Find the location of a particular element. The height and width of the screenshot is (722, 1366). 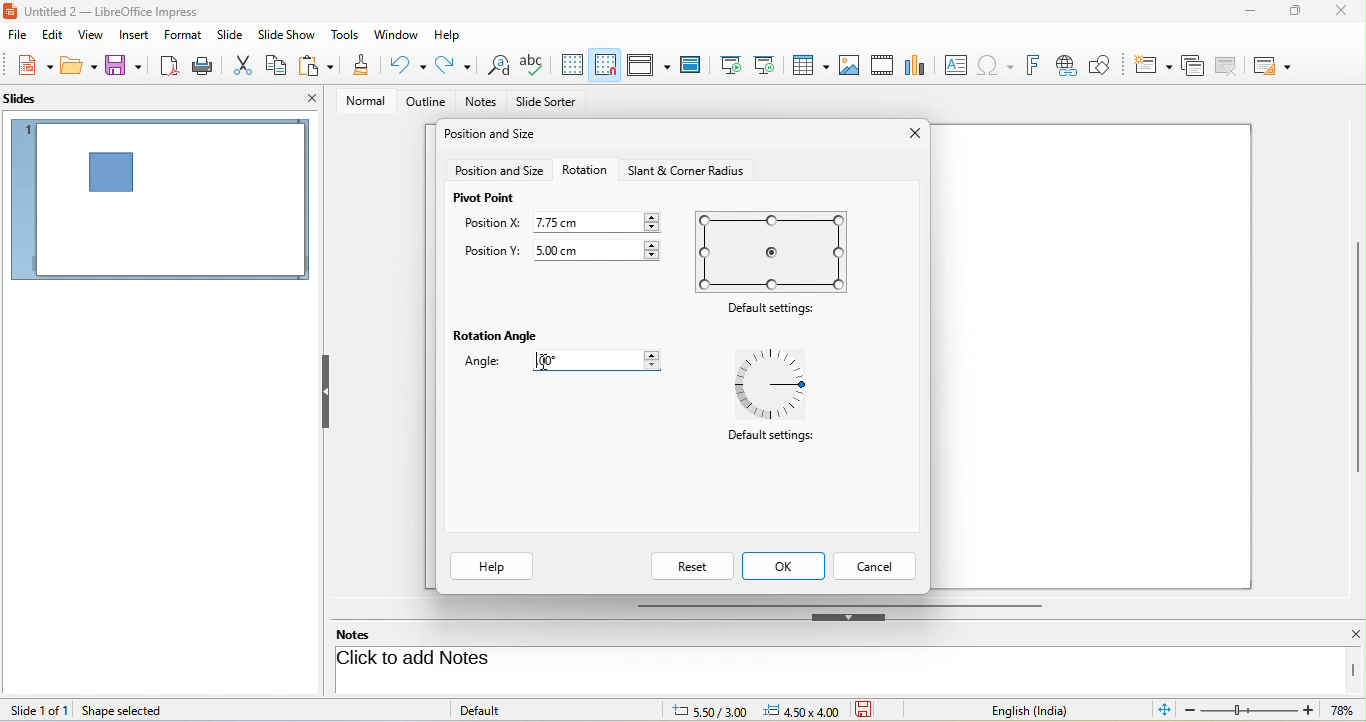

undo is located at coordinates (410, 65).